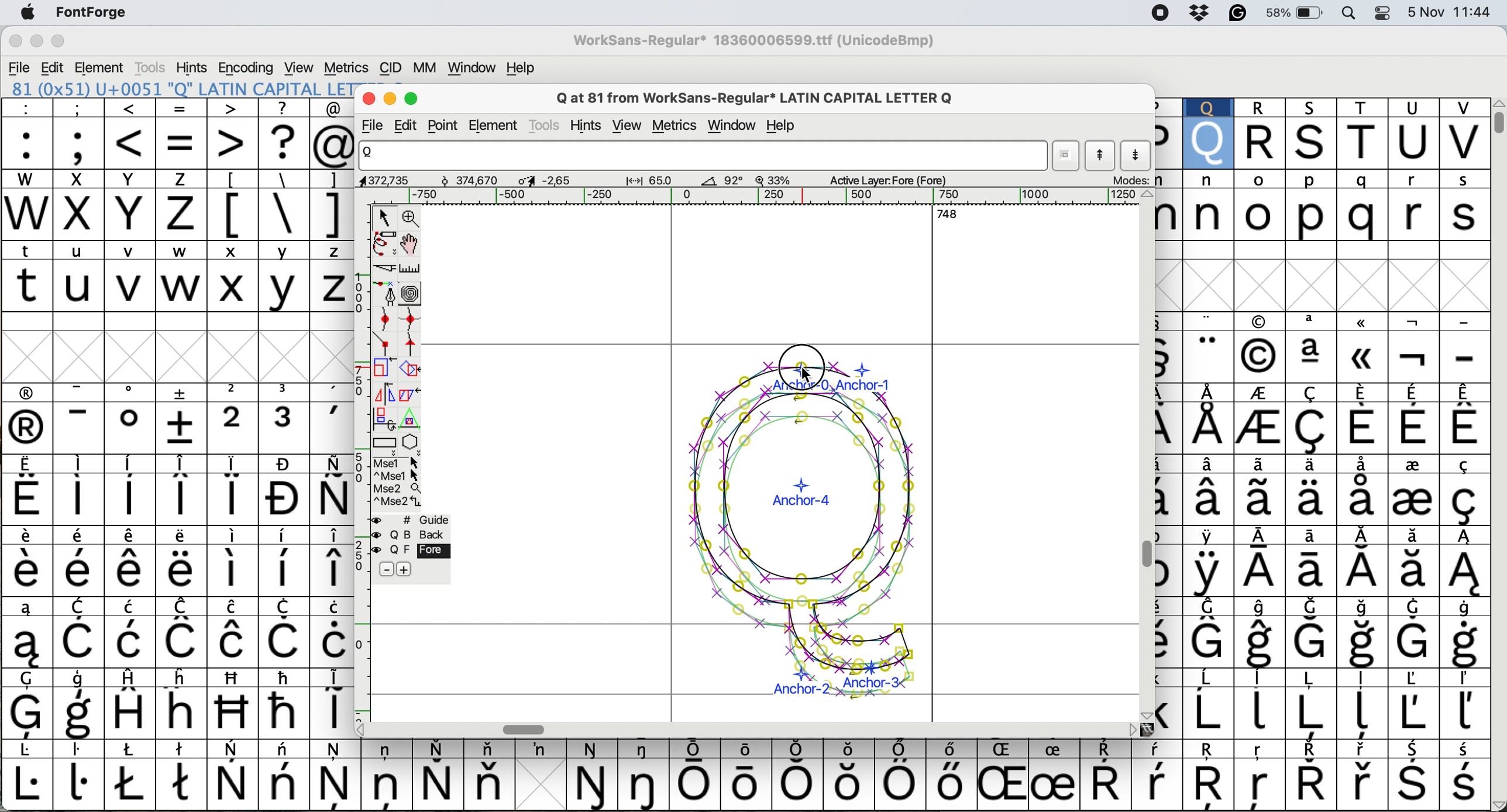  What do you see at coordinates (677, 127) in the screenshot?
I see `metrics` at bounding box center [677, 127].